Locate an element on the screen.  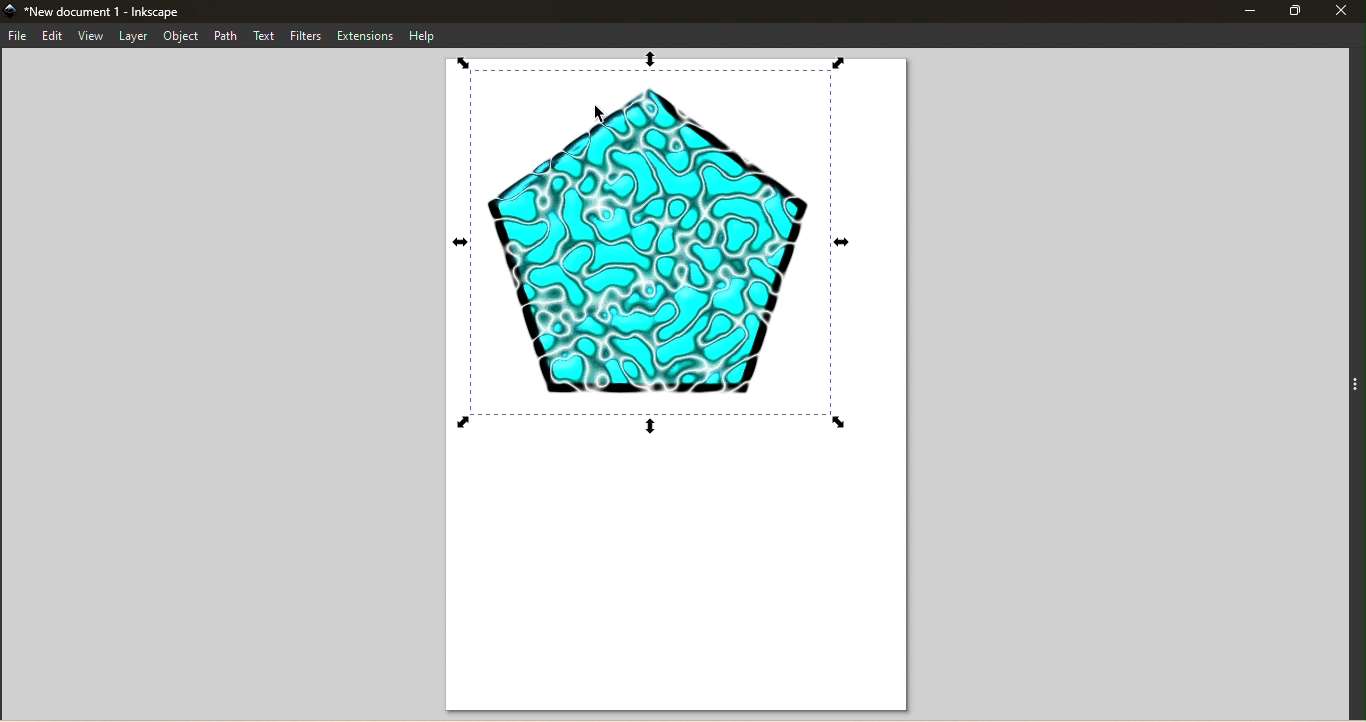
Text is located at coordinates (265, 35).